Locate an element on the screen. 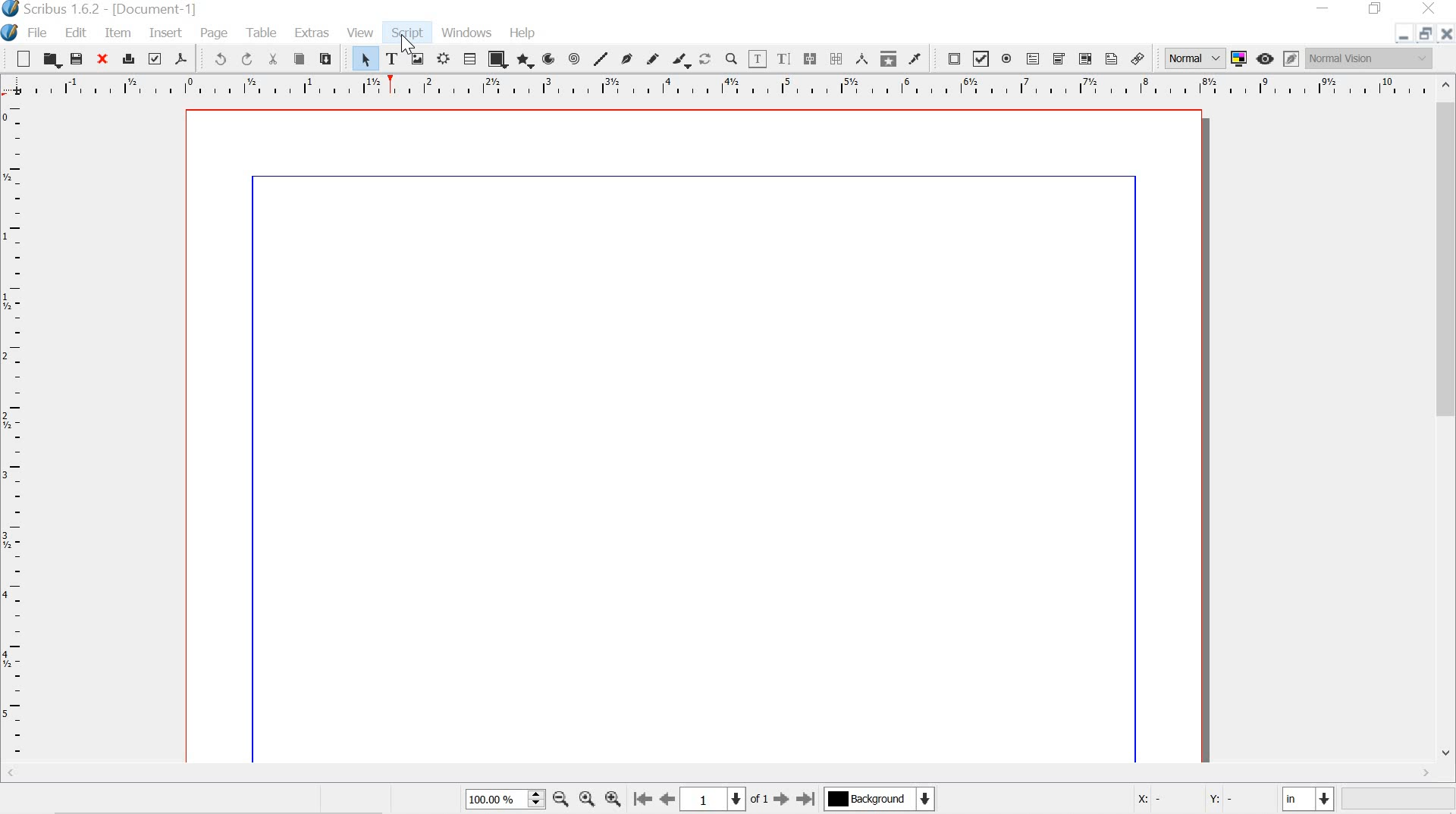  text frame is located at coordinates (391, 58).